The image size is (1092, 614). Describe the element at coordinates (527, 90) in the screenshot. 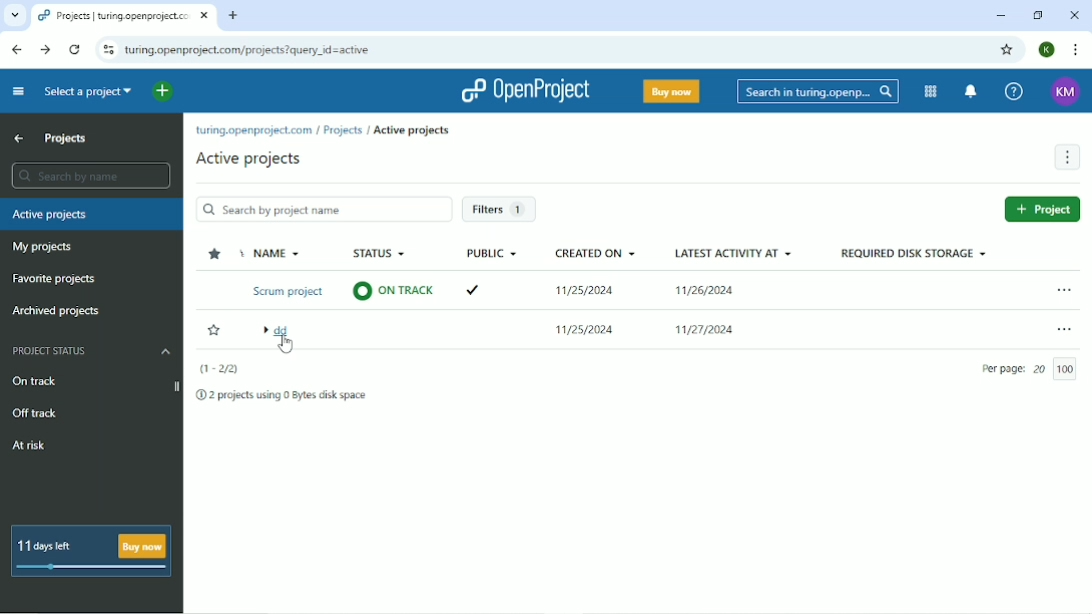

I see `OpenProject` at that location.